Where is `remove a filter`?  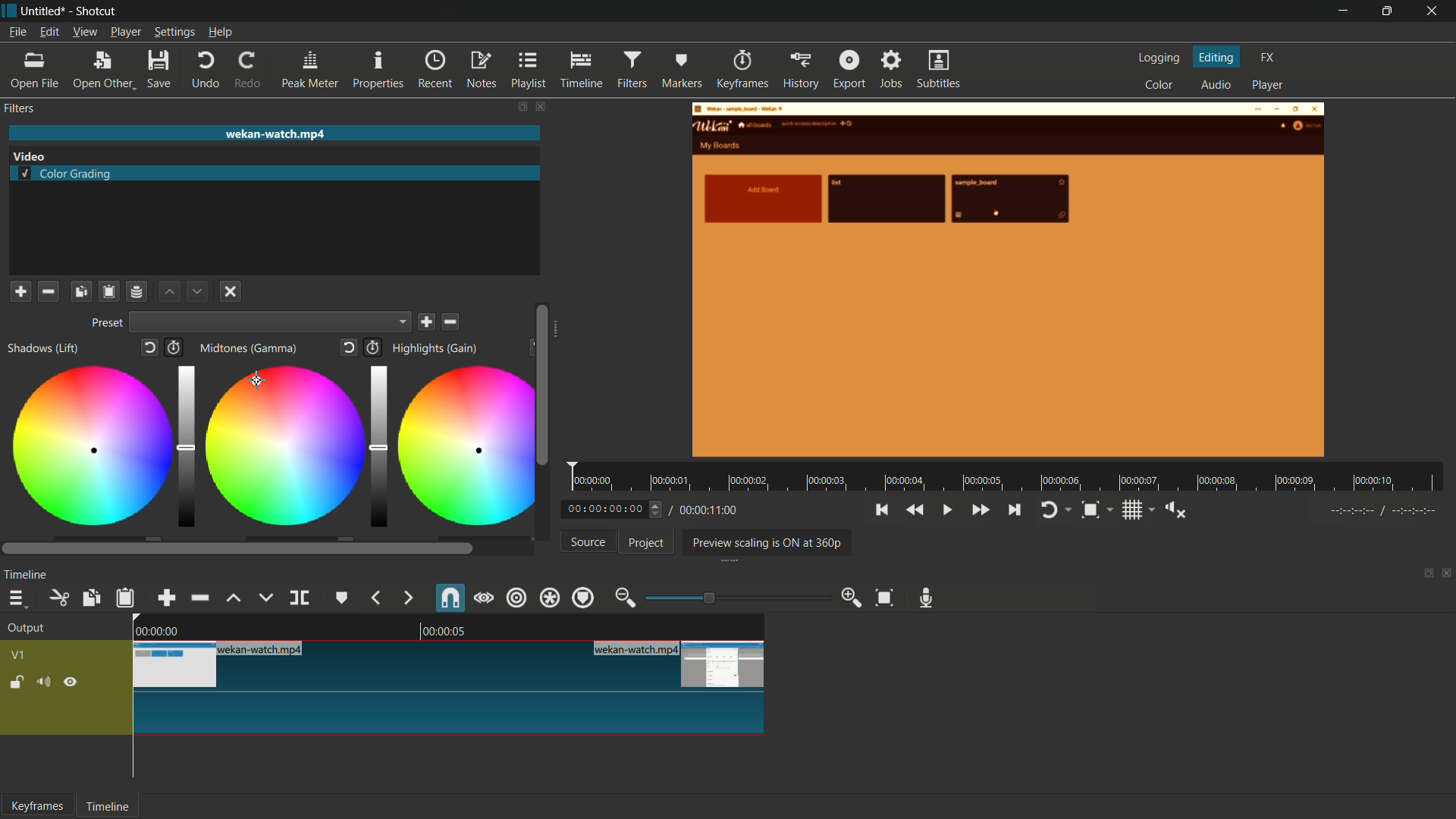
remove a filter is located at coordinates (49, 293).